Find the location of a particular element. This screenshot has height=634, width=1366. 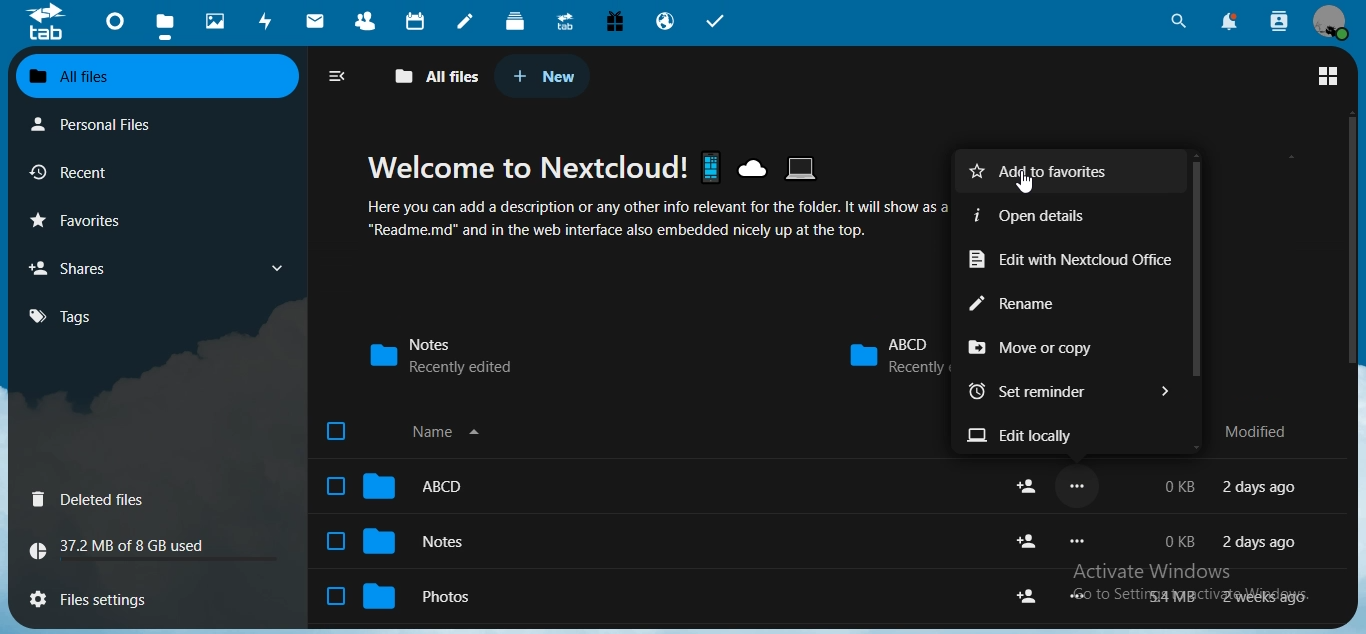

unified search is located at coordinates (1179, 20).